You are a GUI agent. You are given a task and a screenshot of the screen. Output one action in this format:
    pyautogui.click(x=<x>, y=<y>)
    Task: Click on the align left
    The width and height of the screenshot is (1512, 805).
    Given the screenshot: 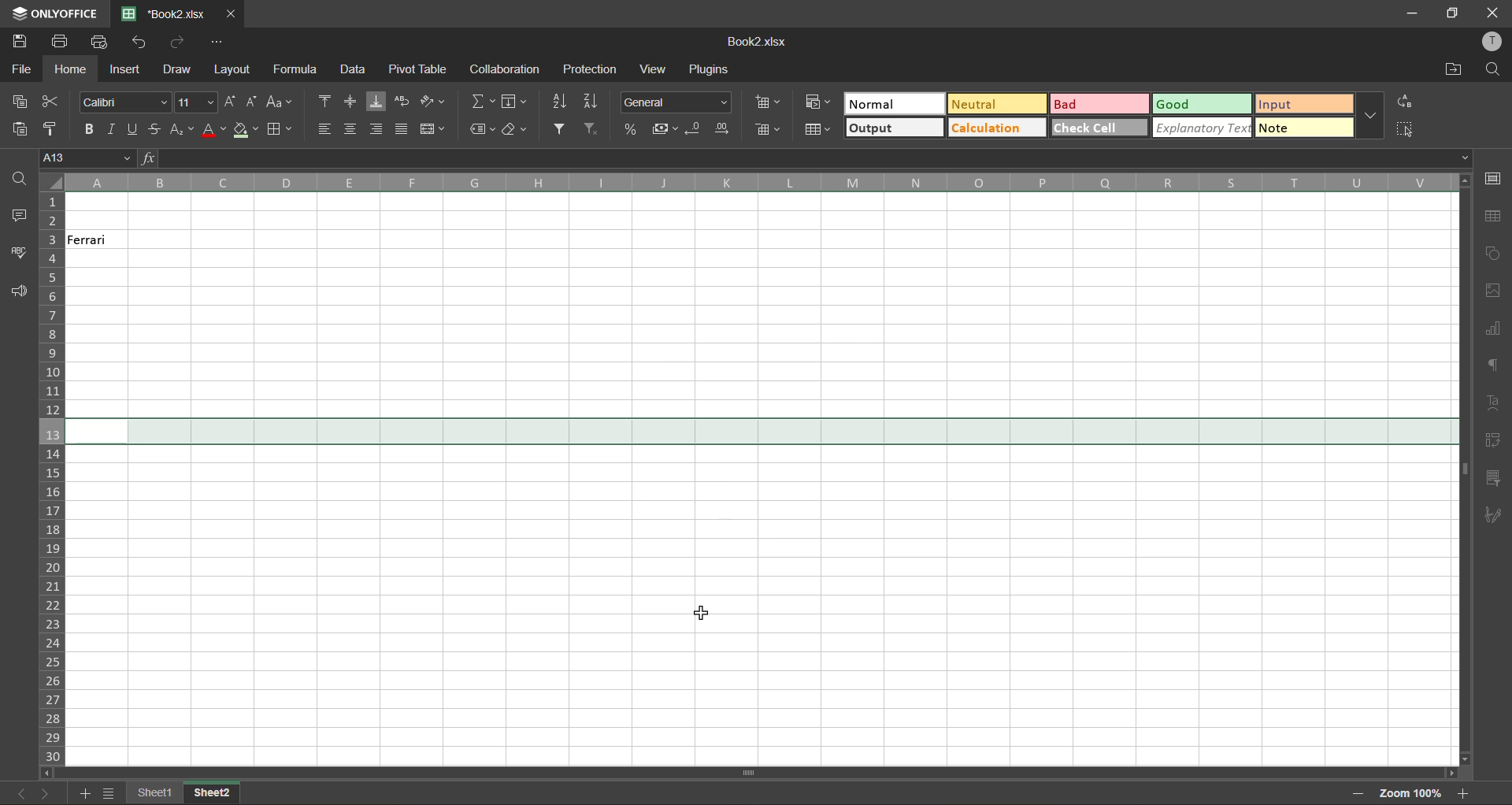 What is the action you would take?
    pyautogui.click(x=329, y=129)
    